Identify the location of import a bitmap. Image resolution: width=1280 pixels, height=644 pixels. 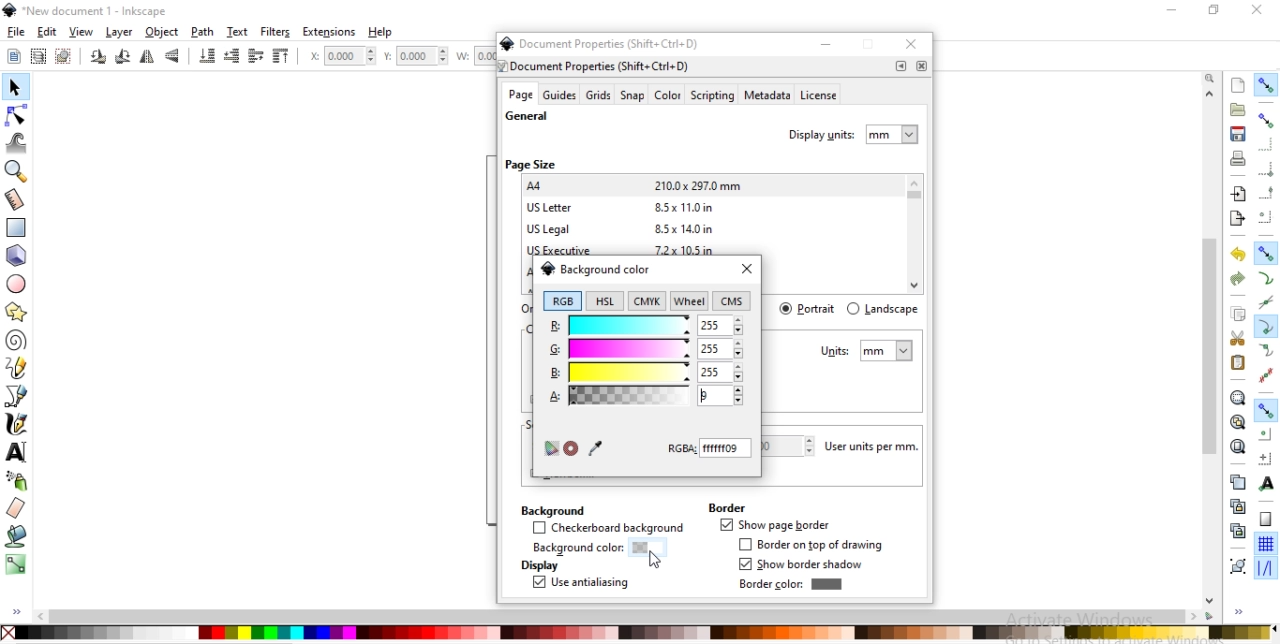
(1239, 194).